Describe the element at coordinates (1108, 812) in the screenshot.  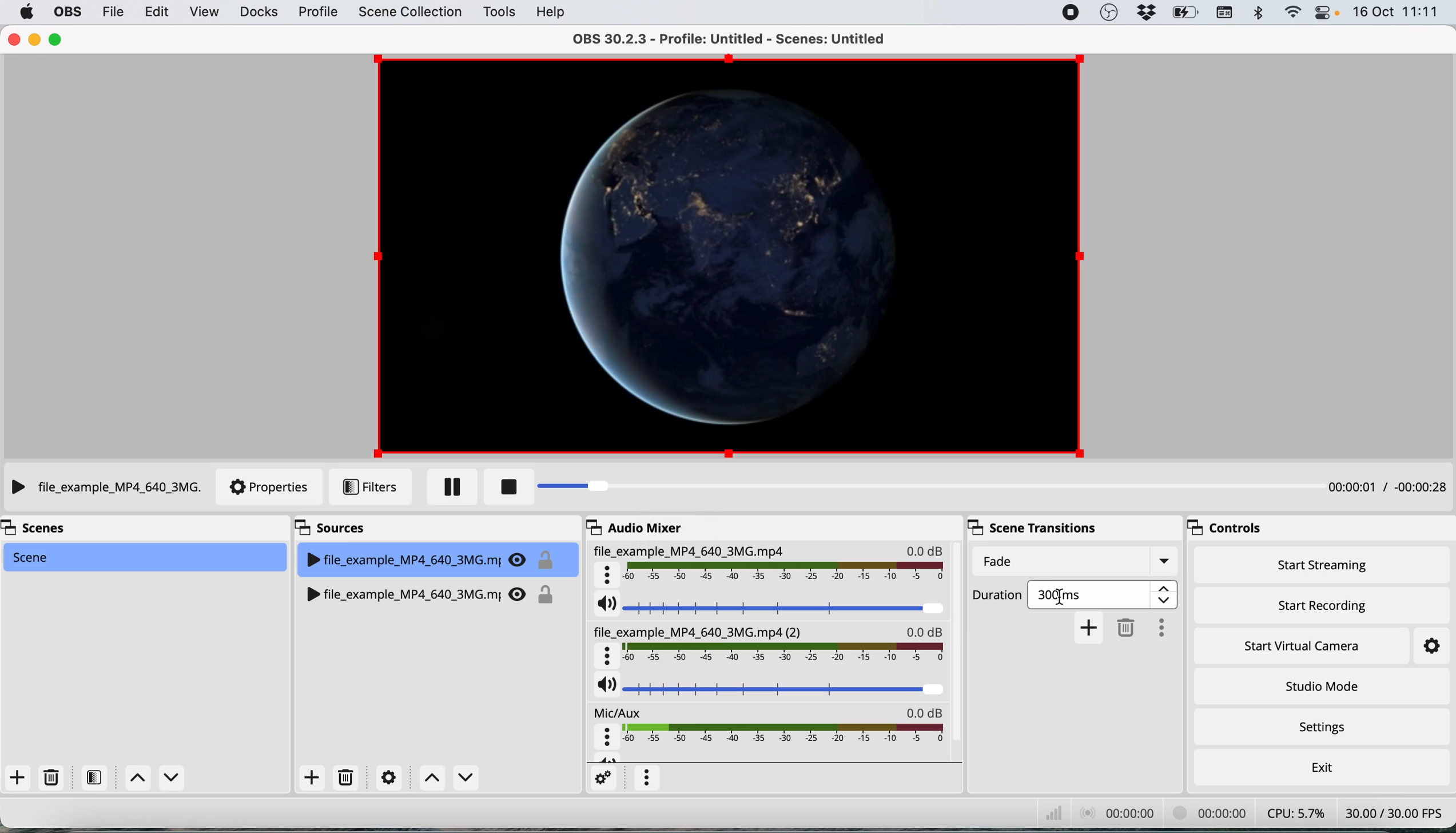
I see `audio recording timestamp` at that location.